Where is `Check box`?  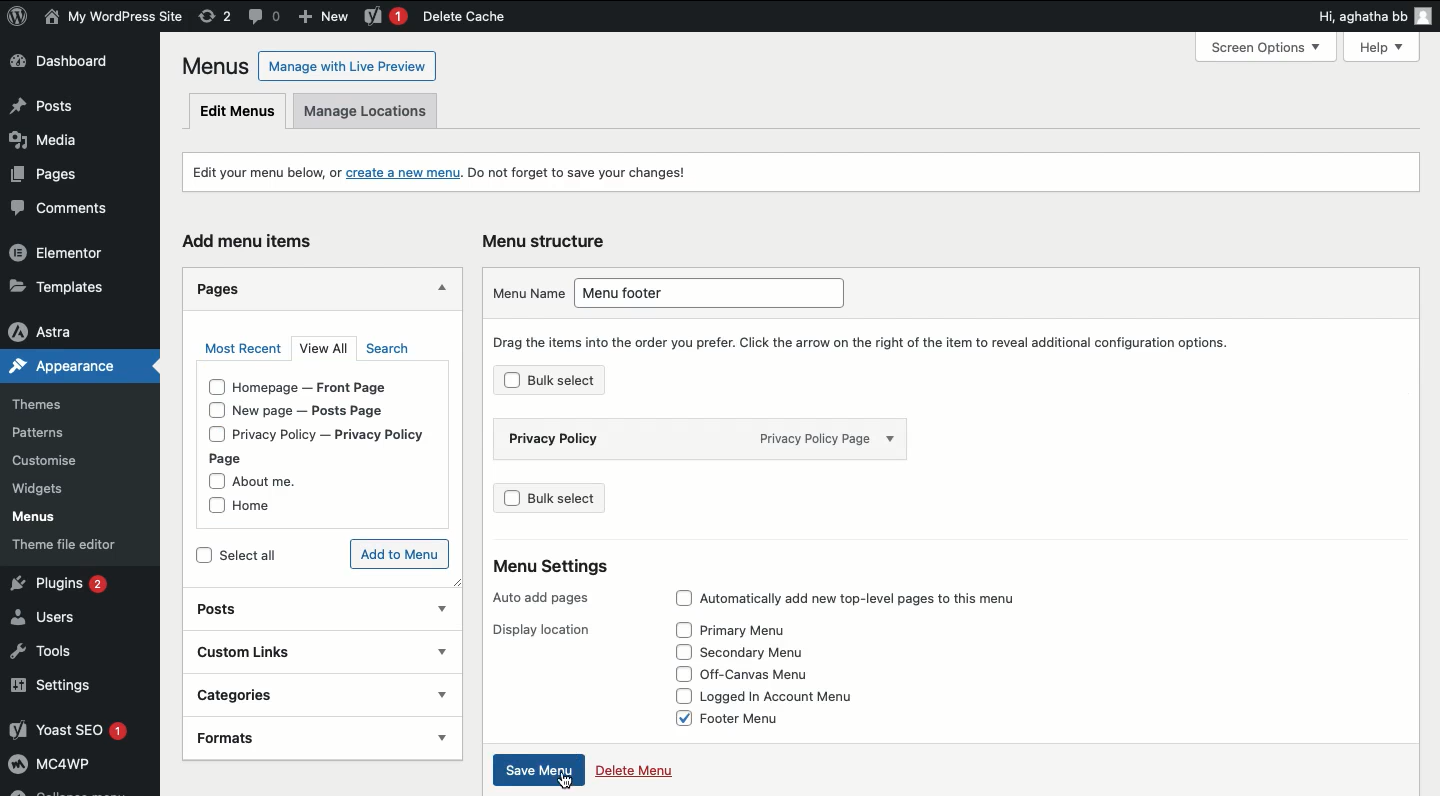
Check box is located at coordinates (679, 697).